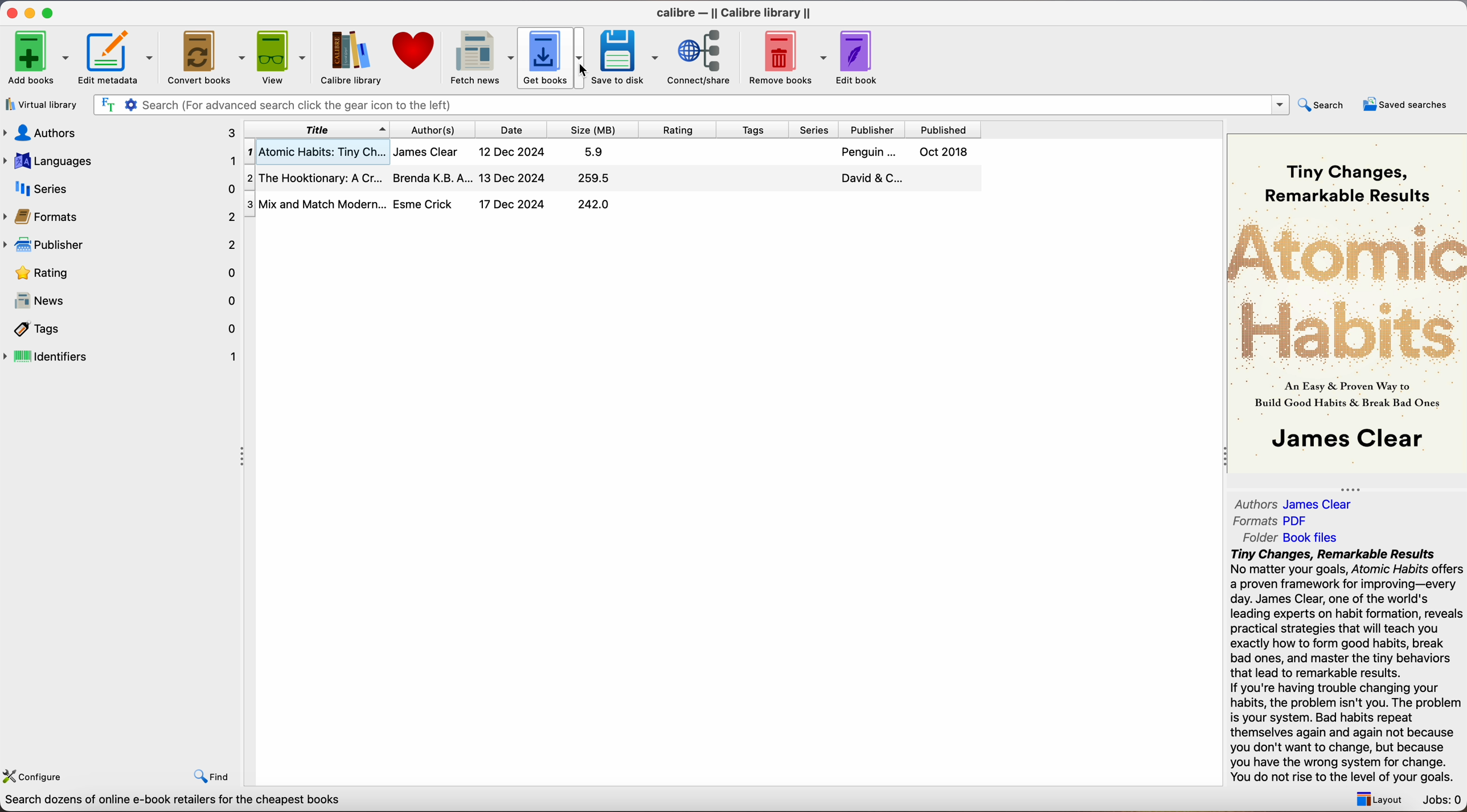 The image size is (1467, 812). What do you see at coordinates (208, 59) in the screenshot?
I see `convert books` at bounding box center [208, 59].